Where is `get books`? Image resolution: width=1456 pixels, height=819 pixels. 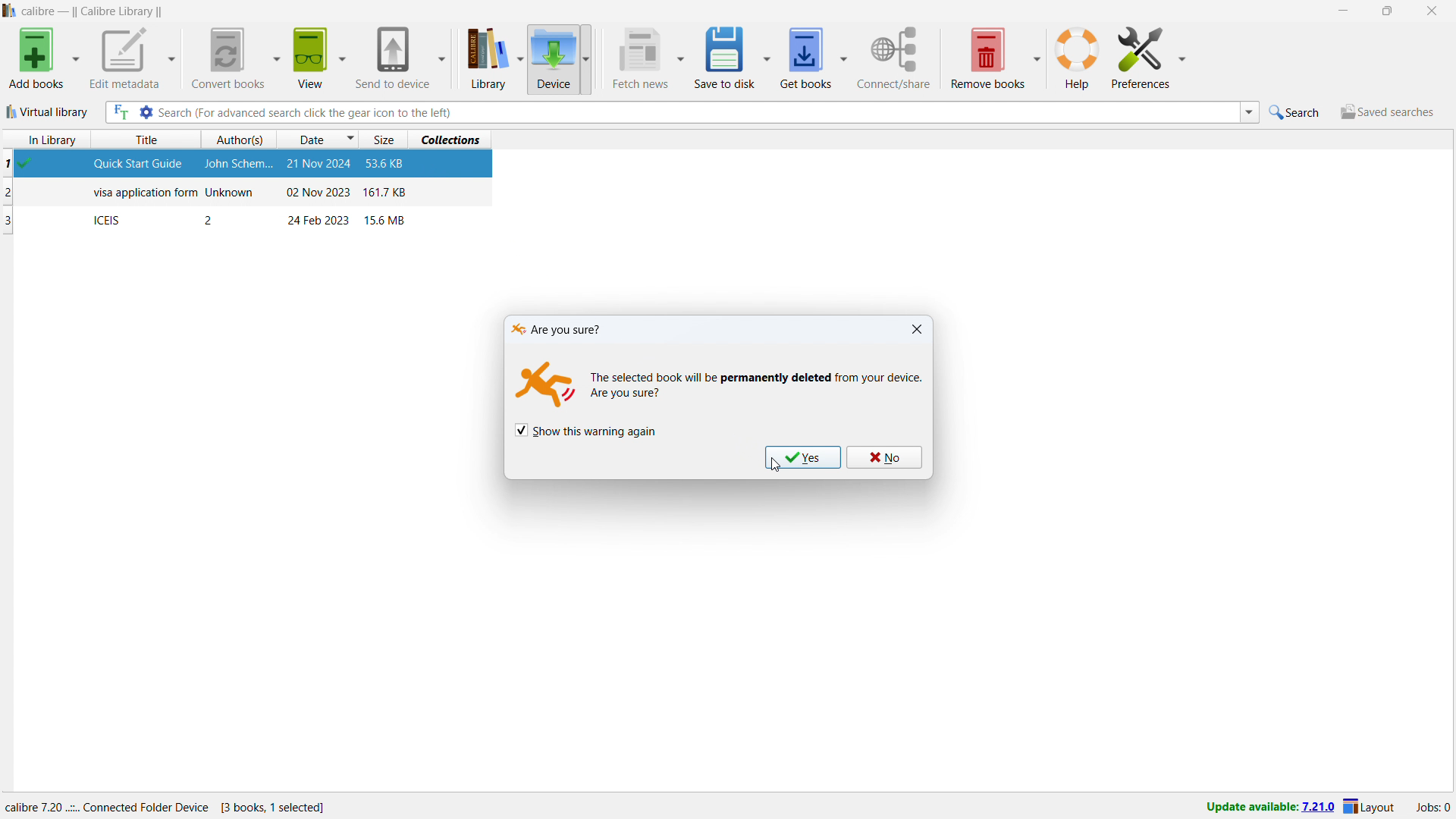
get books is located at coordinates (805, 56).